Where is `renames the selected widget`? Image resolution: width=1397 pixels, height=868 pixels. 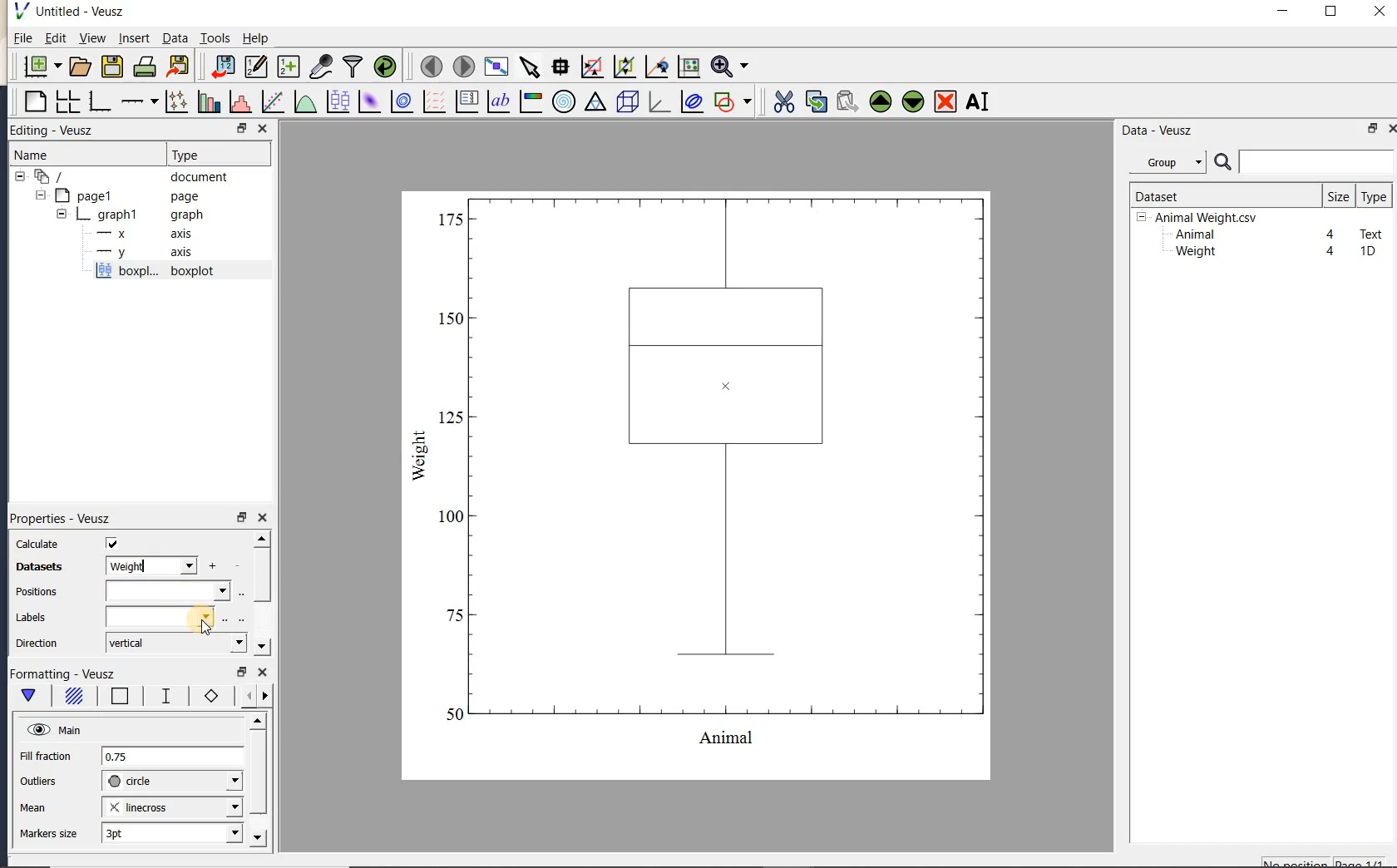
renames the selected widget is located at coordinates (976, 101).